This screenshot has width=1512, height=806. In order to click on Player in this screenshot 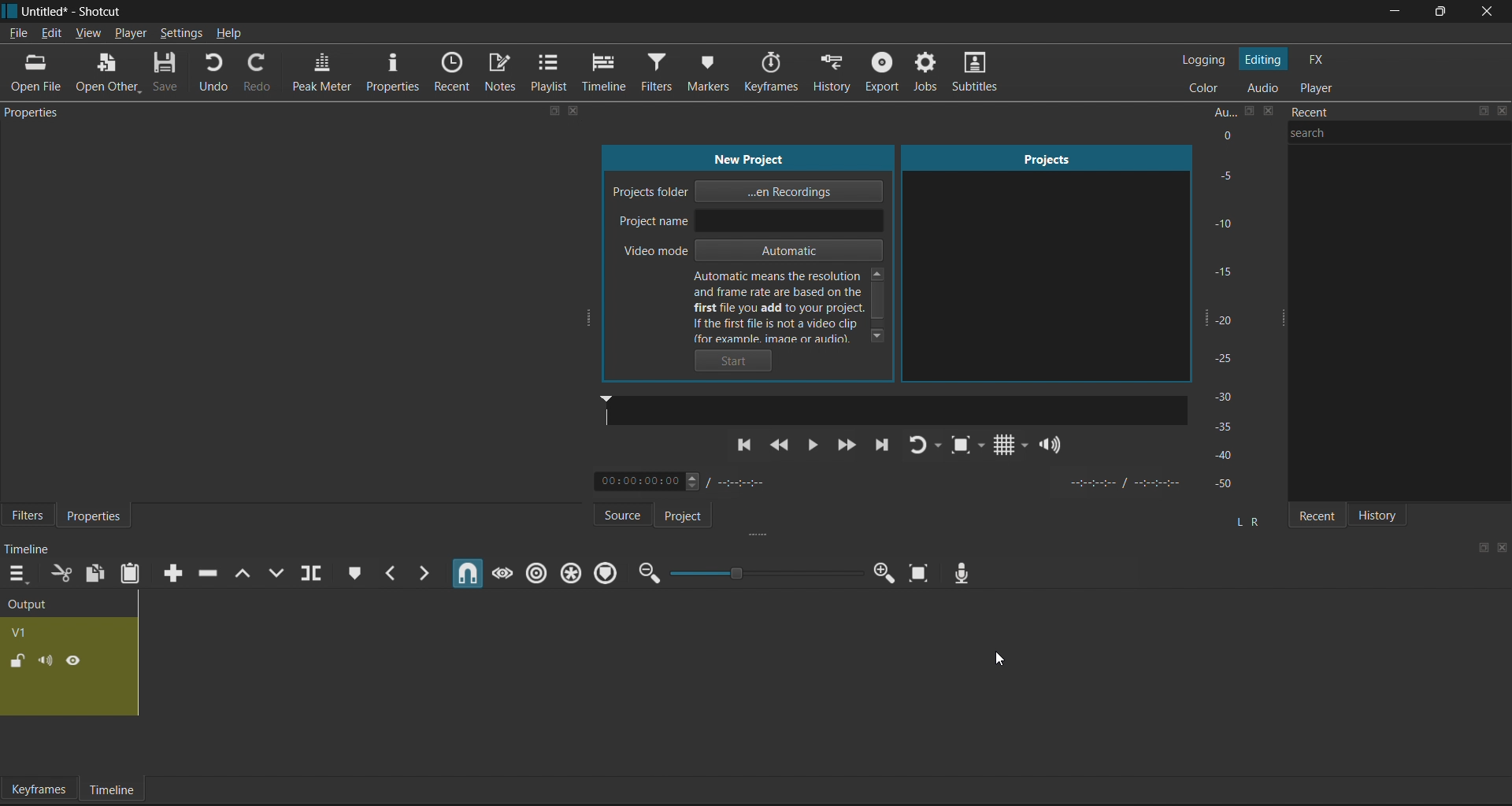, I will do `click(130, 32)`.